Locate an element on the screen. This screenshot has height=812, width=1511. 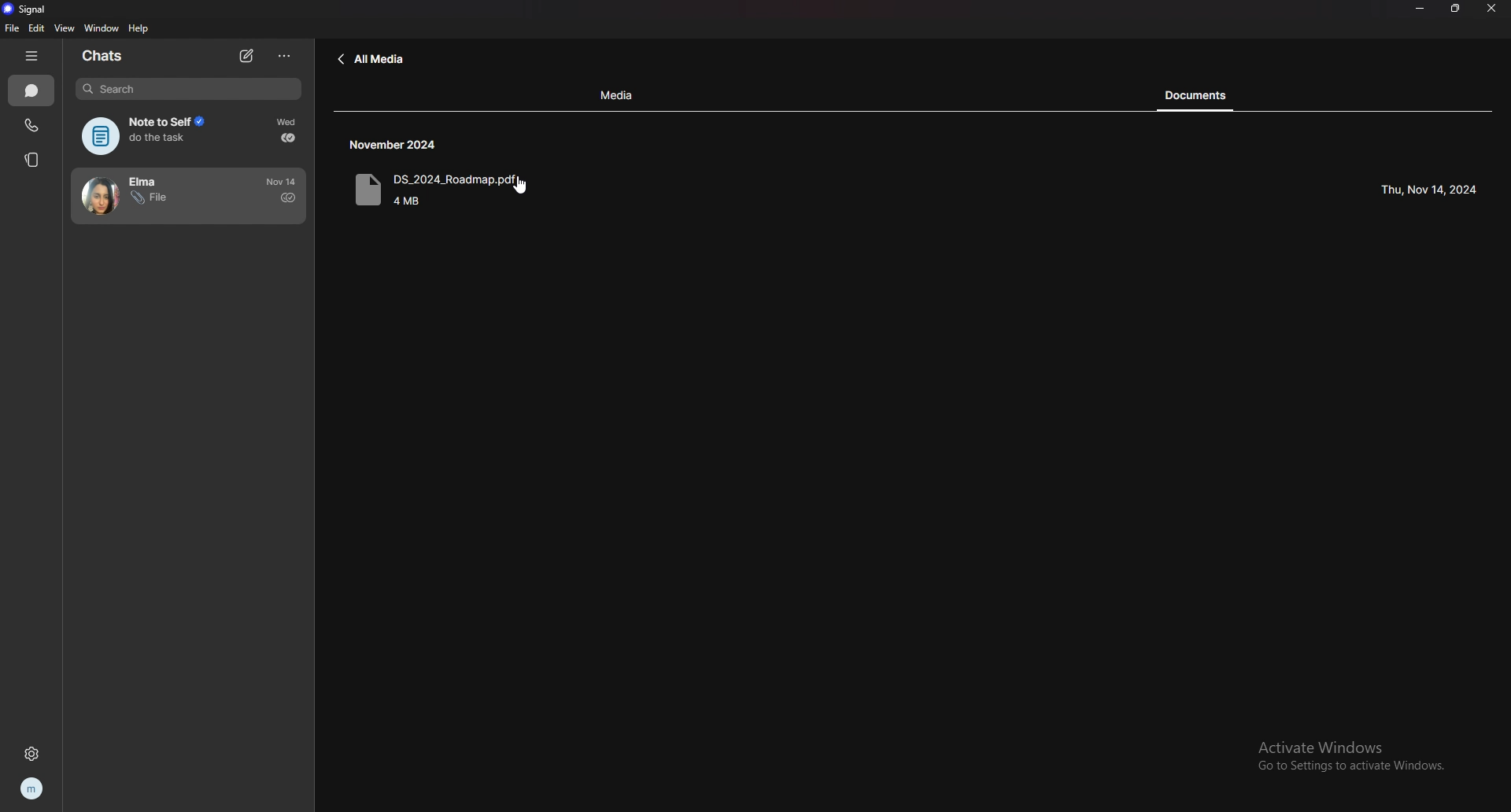
window is located at coordinates (101, 28).